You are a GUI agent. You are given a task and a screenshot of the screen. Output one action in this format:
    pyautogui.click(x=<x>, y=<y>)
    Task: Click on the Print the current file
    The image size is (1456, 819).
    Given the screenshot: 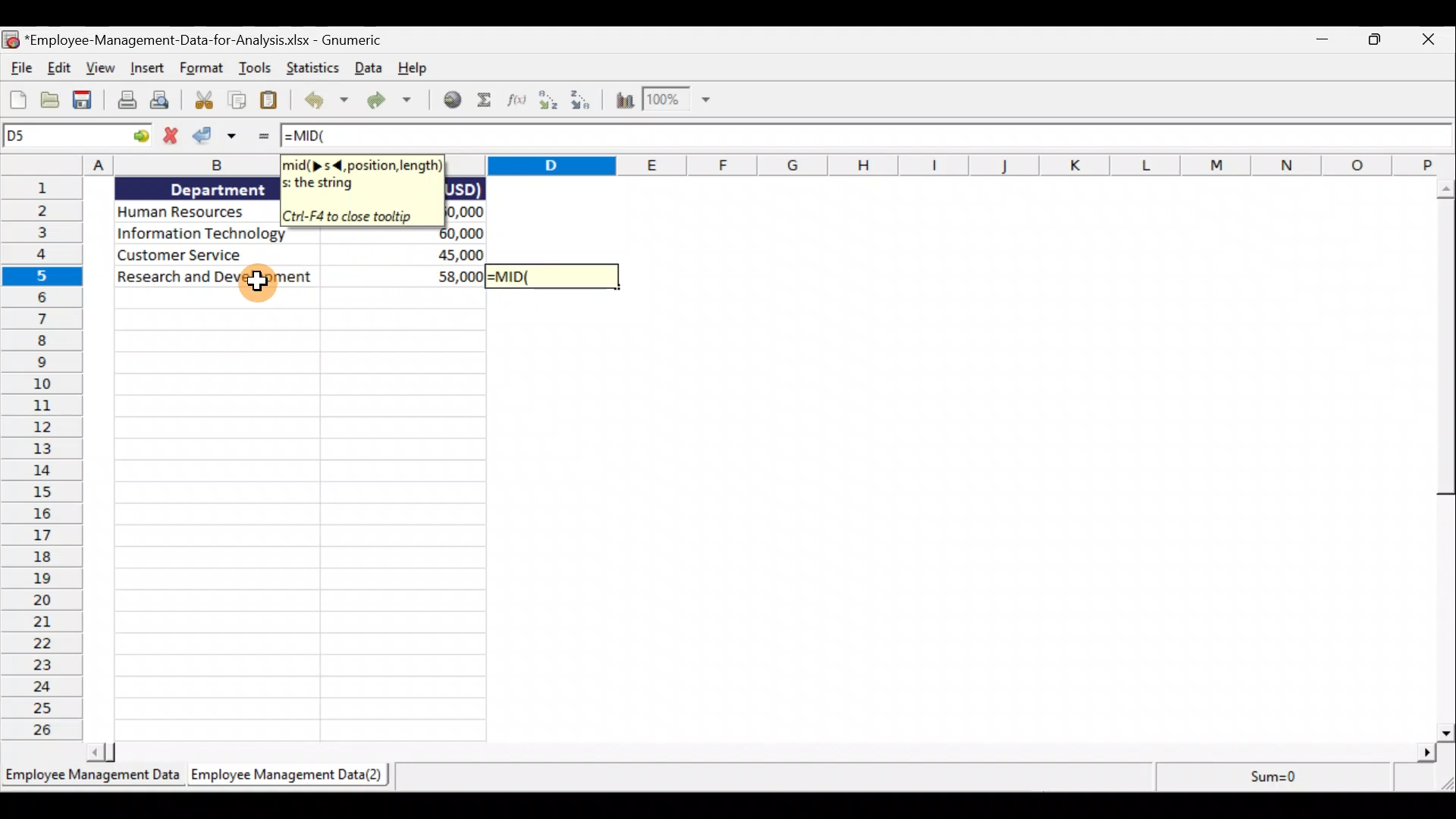 What is the action you would take?
    pyautogui.click(x=124, y=101)
    